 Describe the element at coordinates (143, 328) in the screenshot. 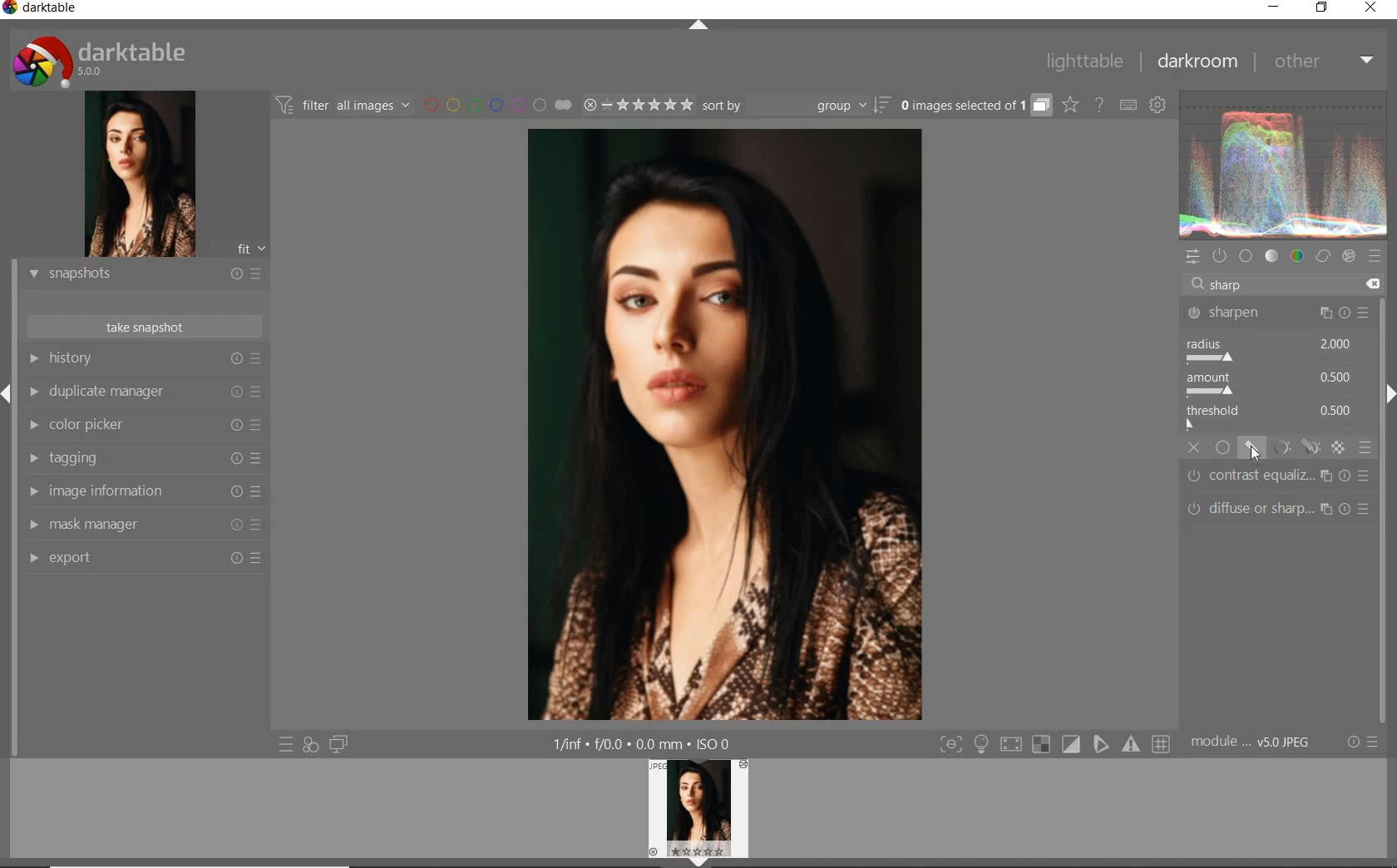

I see `take snapshot` at that location.